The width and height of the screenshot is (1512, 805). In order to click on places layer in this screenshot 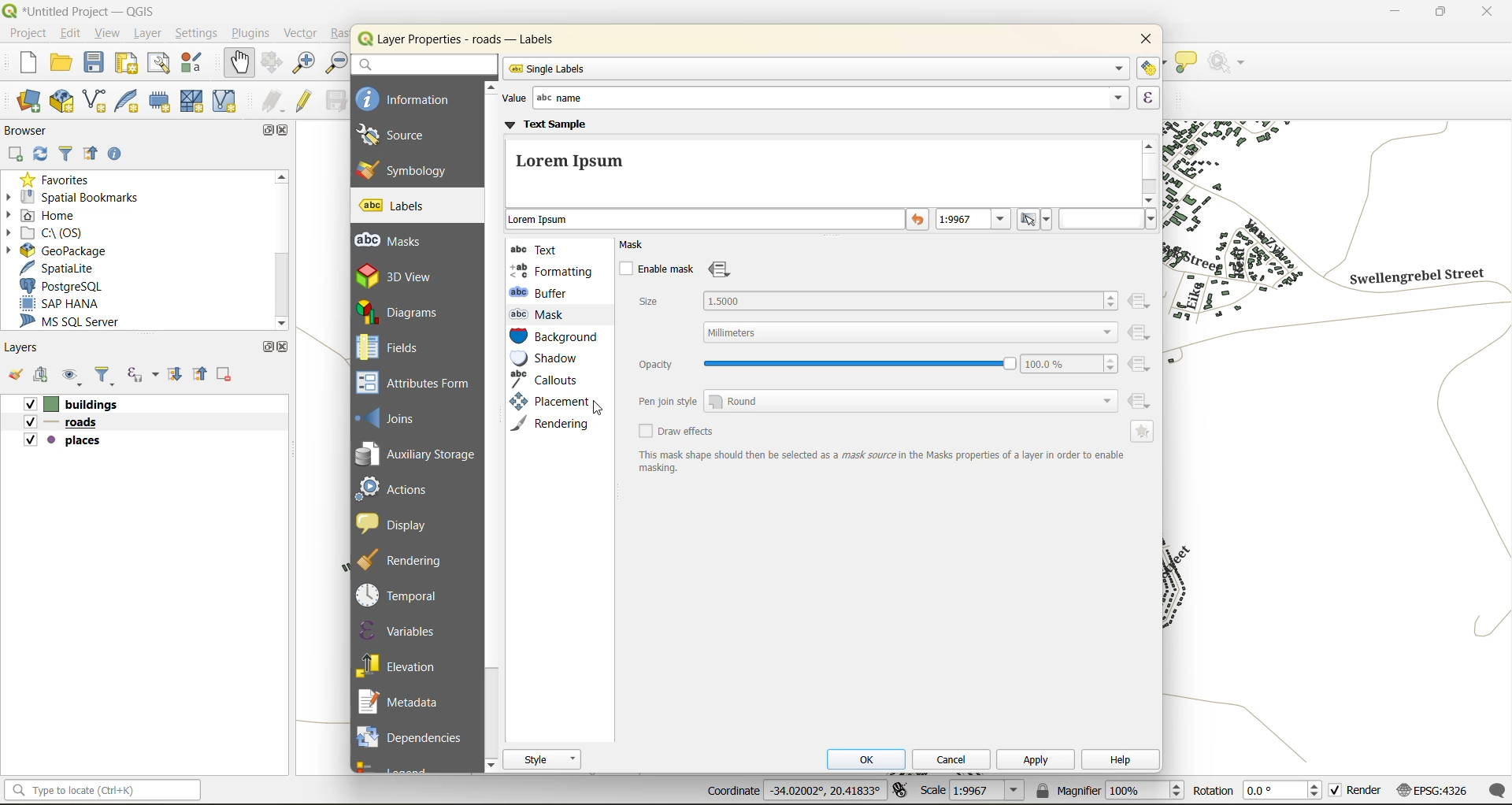, I will do `click(63, 441)`.